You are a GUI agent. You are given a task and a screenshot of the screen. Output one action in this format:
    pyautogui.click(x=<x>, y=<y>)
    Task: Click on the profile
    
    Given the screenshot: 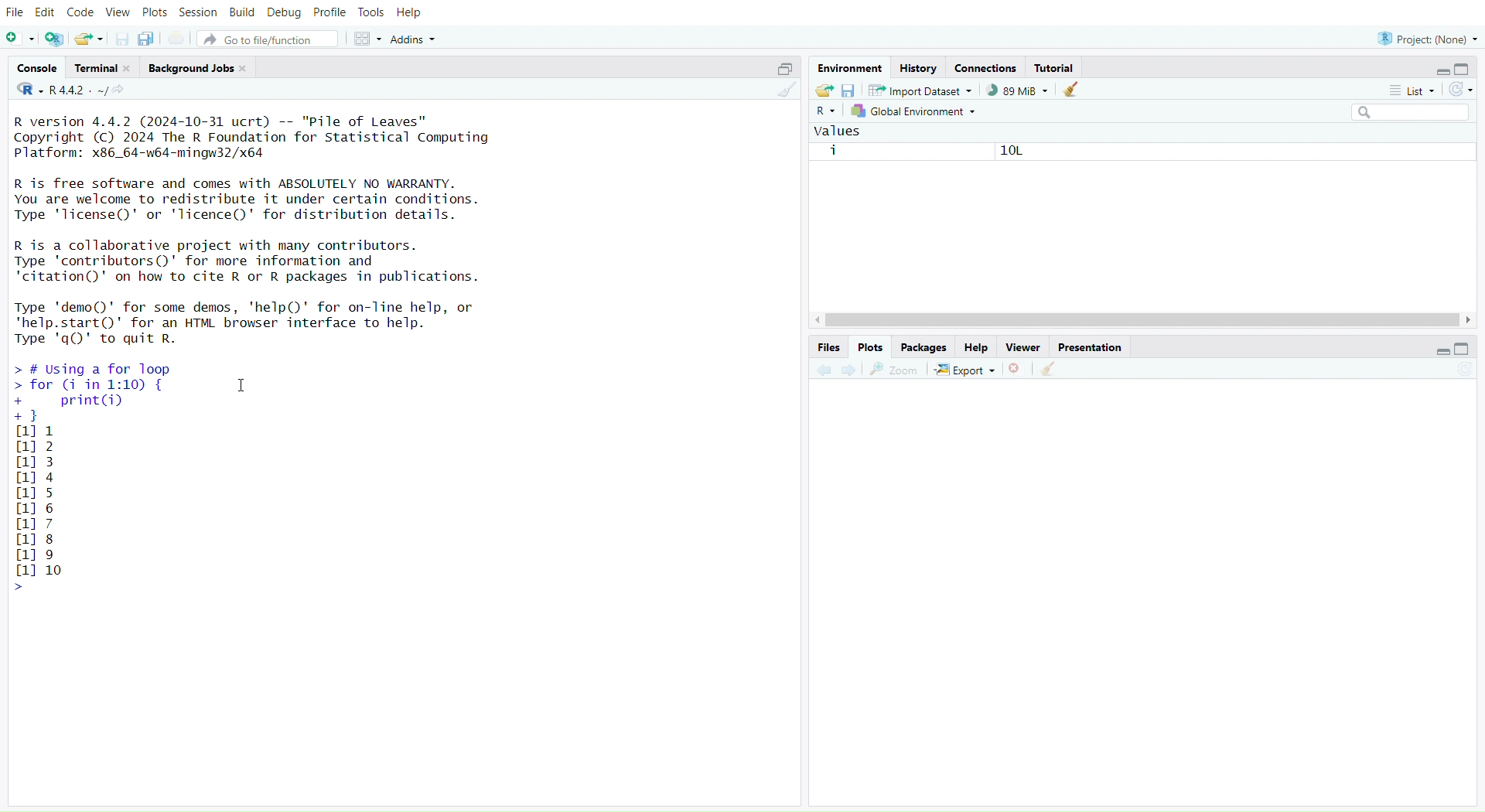 What is the action you would take?
    pyautogui.click(x=329, y=12)
    